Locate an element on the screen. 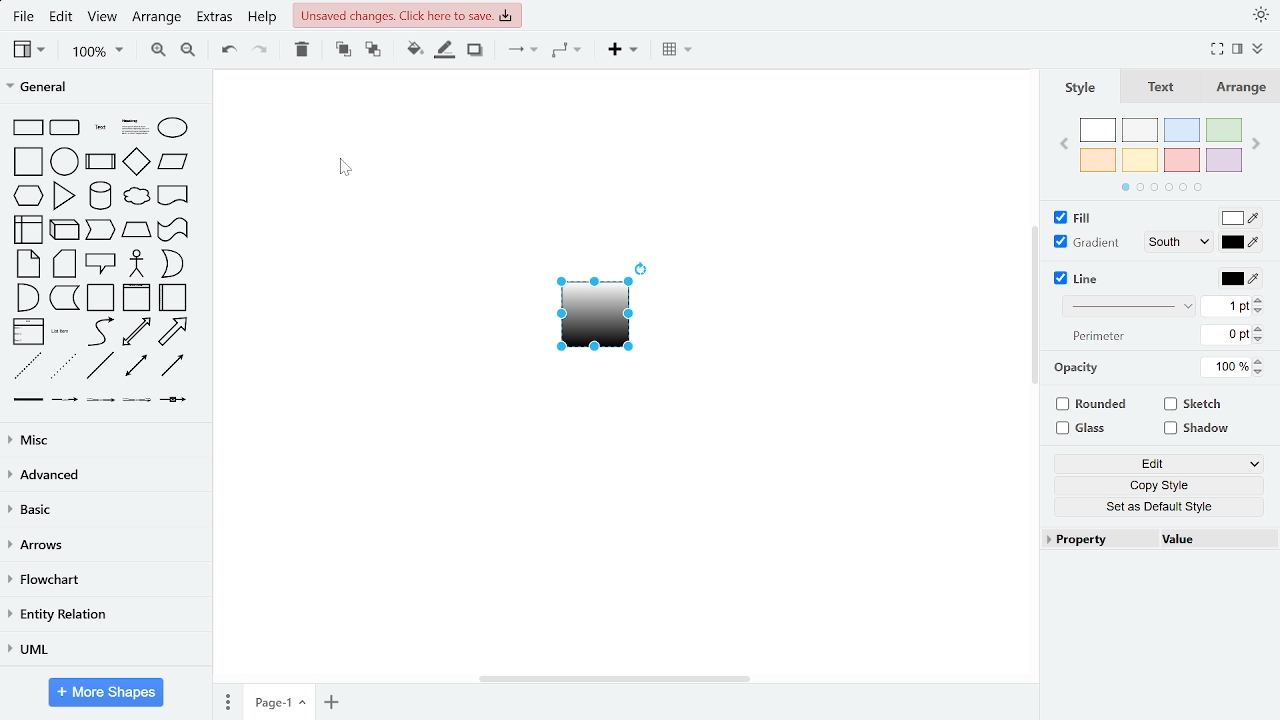 The width and height of the screenshot is (1280, 720). general shapes is located at coordinates (134, 365).